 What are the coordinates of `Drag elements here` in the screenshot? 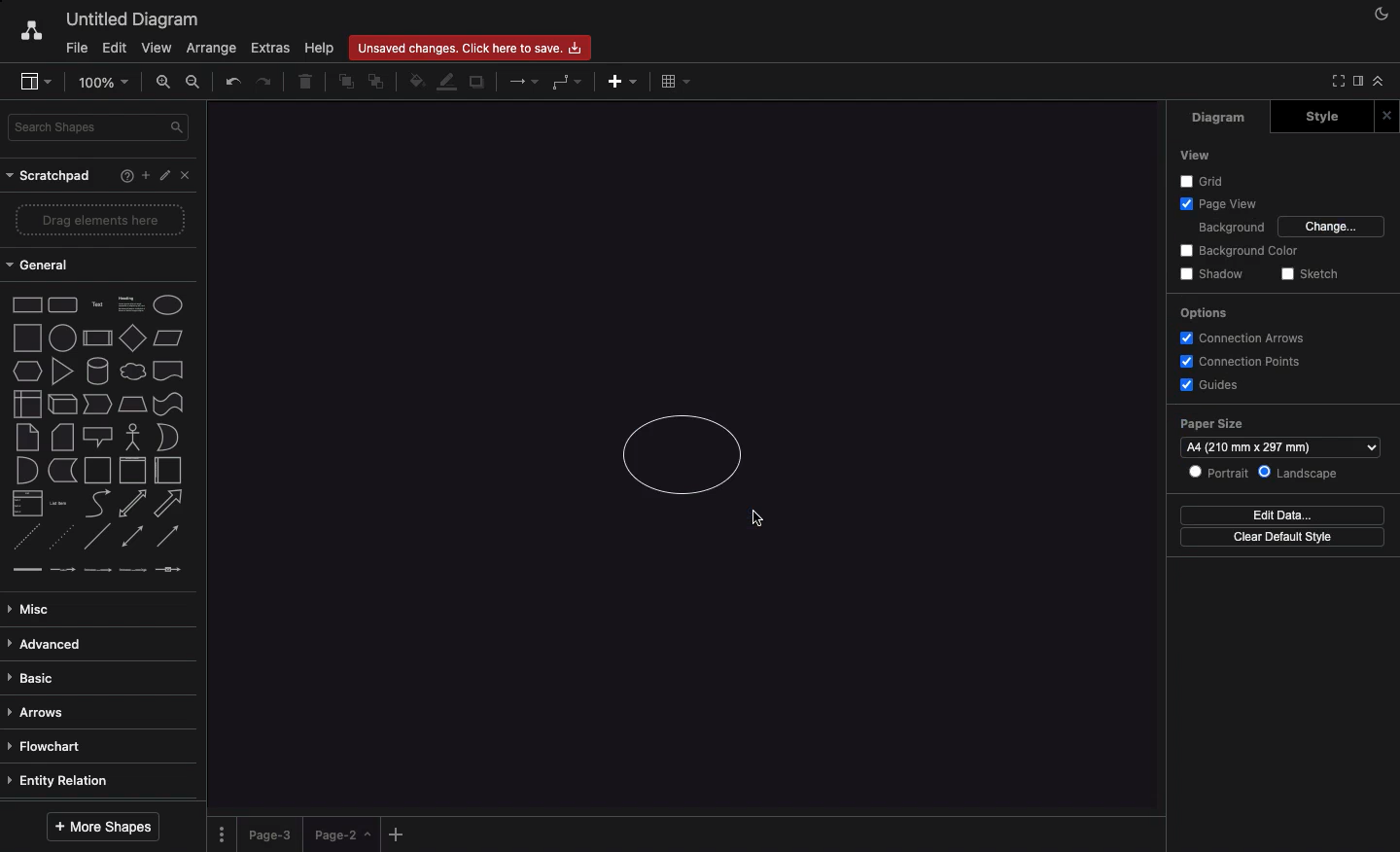 It's located at (102, 219).